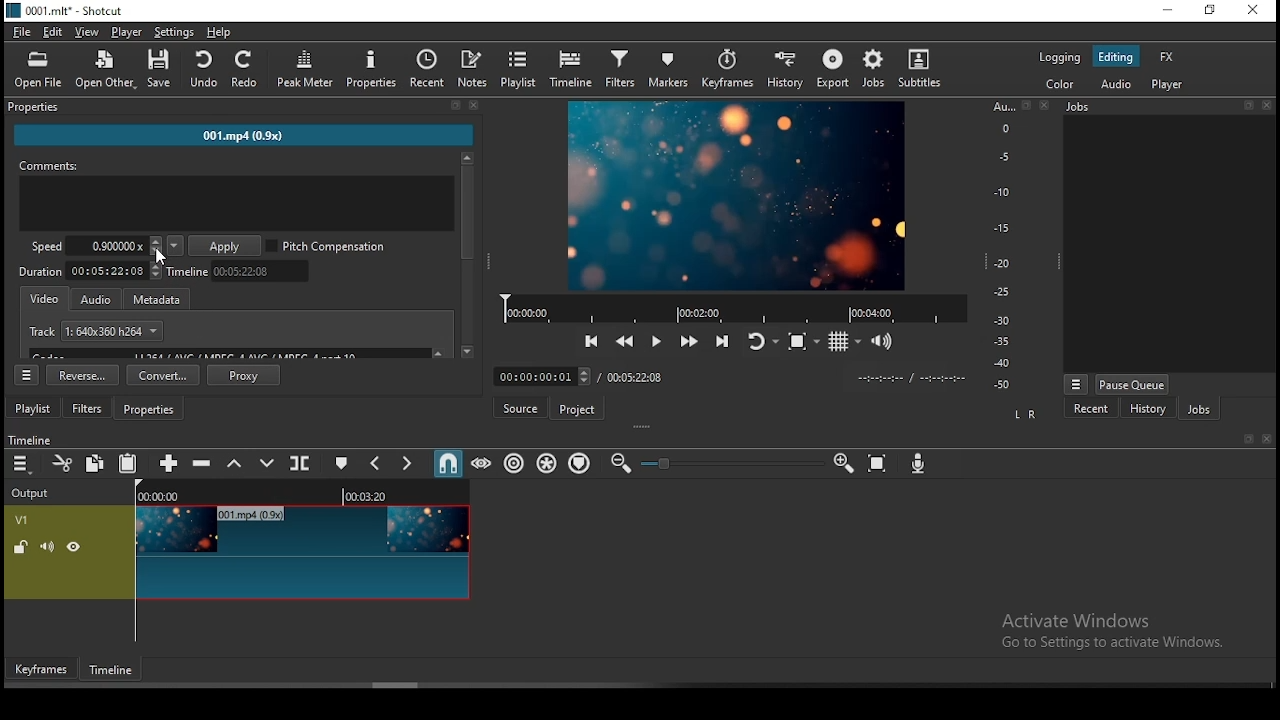 This screenshot has width=1280, height=720. Describe the element at coordinates (871, 71) in the screenshot. I see `jobs` at that location.